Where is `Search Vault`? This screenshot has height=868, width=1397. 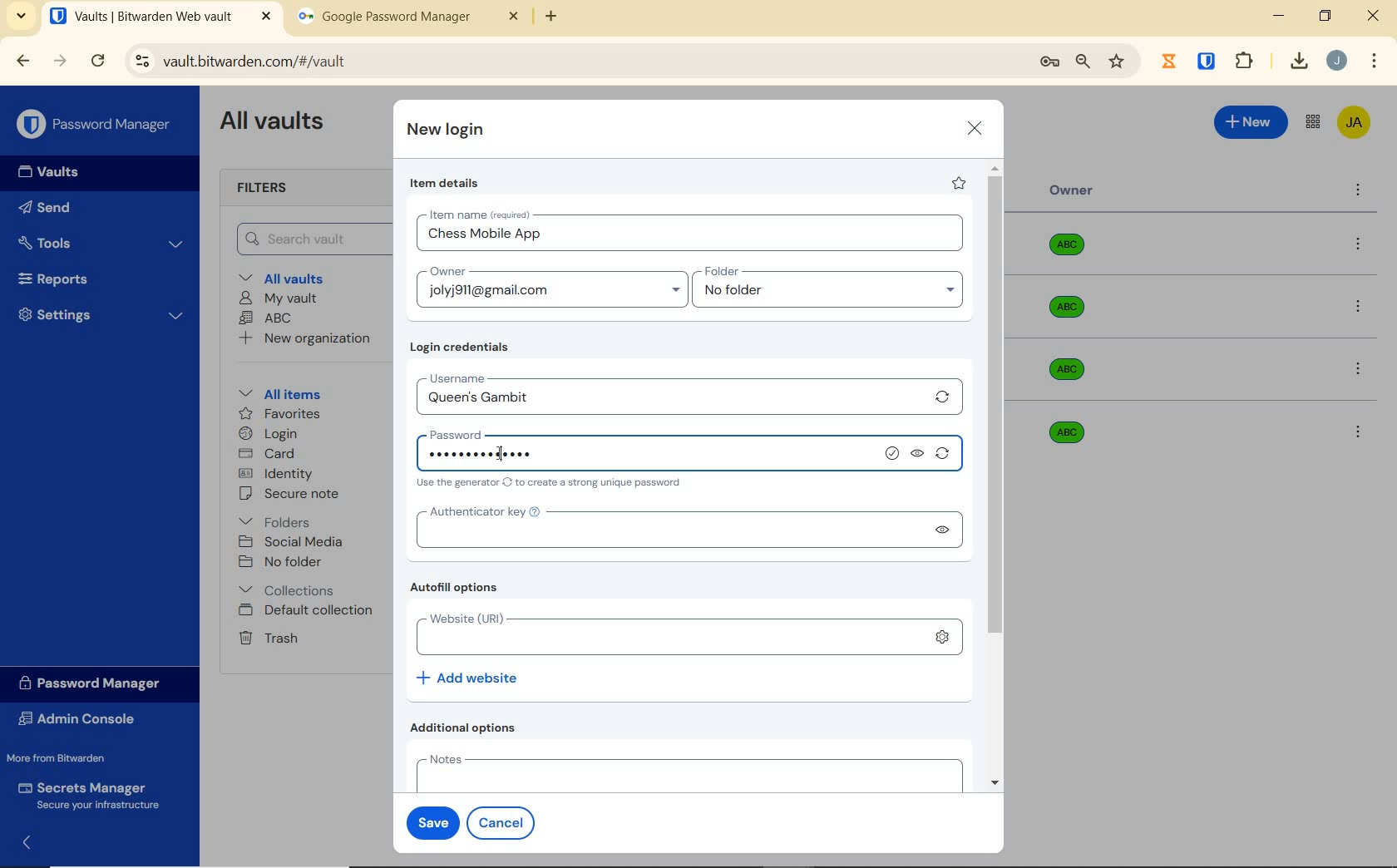 Search Vault is located at coordinates (309, 239).